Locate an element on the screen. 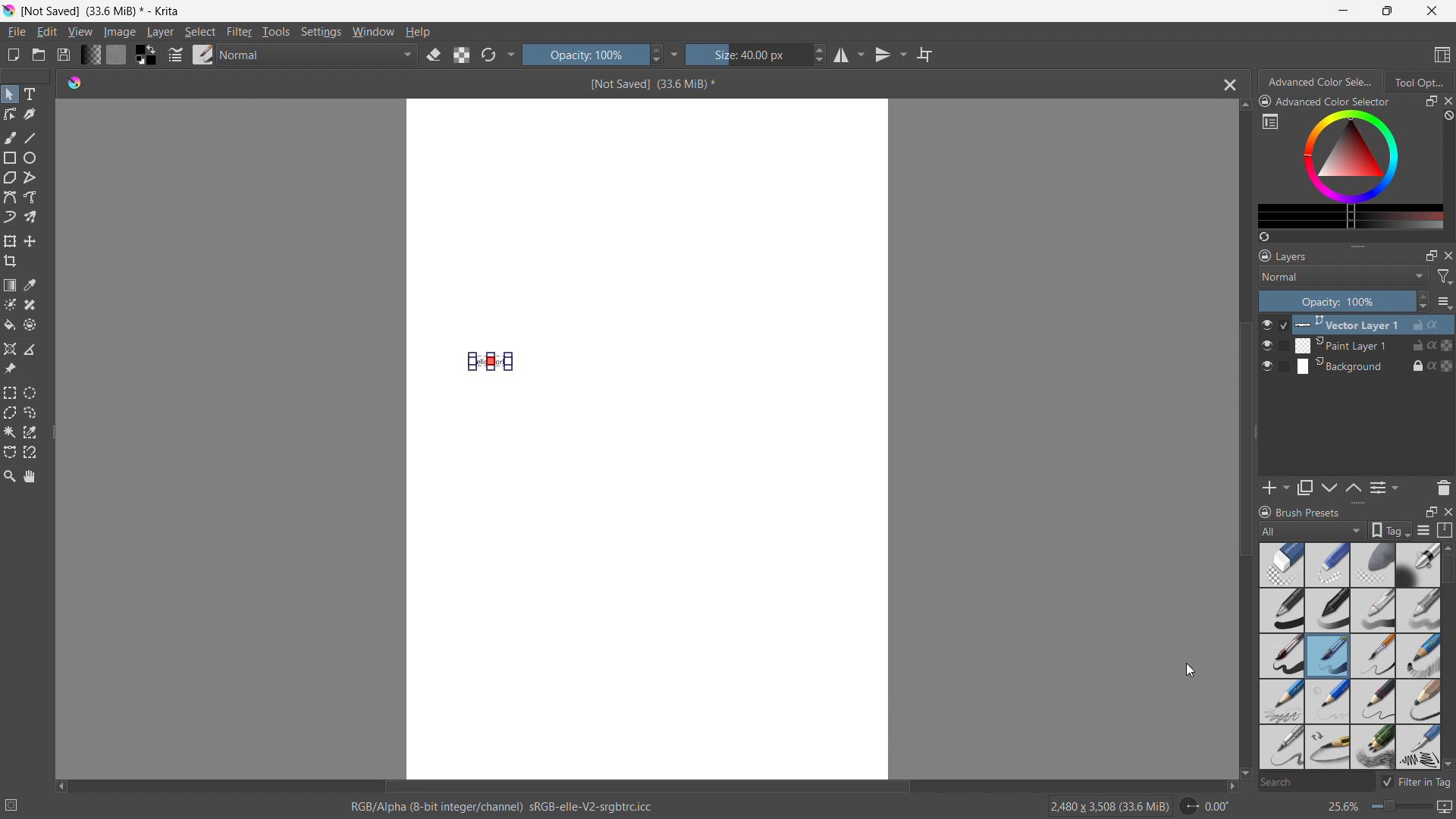  light blur is located at coordinates (1327, 565).